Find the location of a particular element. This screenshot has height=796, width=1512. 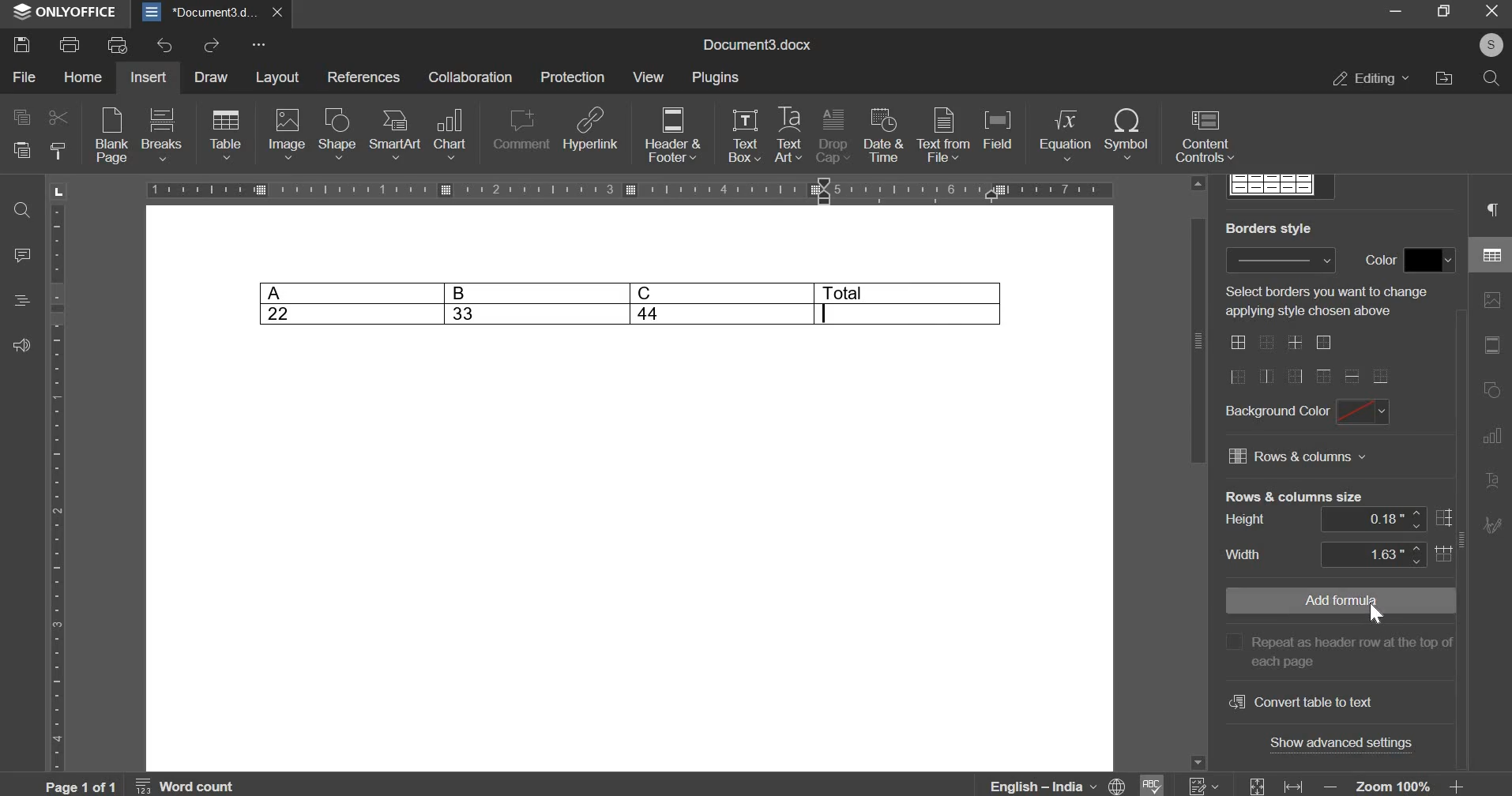

smart art is located at coordinates (394, 133).